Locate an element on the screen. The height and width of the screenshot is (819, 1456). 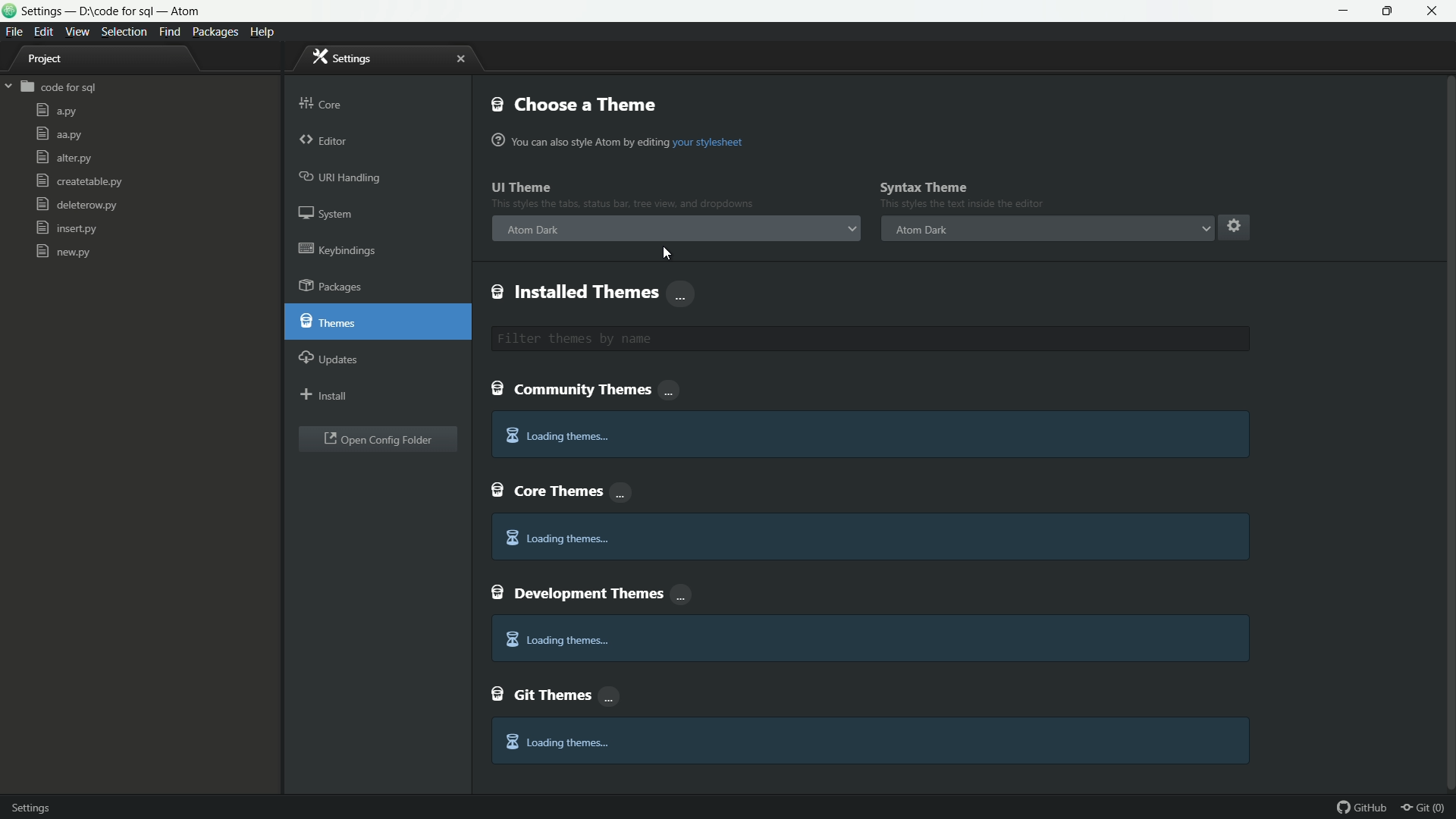
system is located at coordinates (327, 213).